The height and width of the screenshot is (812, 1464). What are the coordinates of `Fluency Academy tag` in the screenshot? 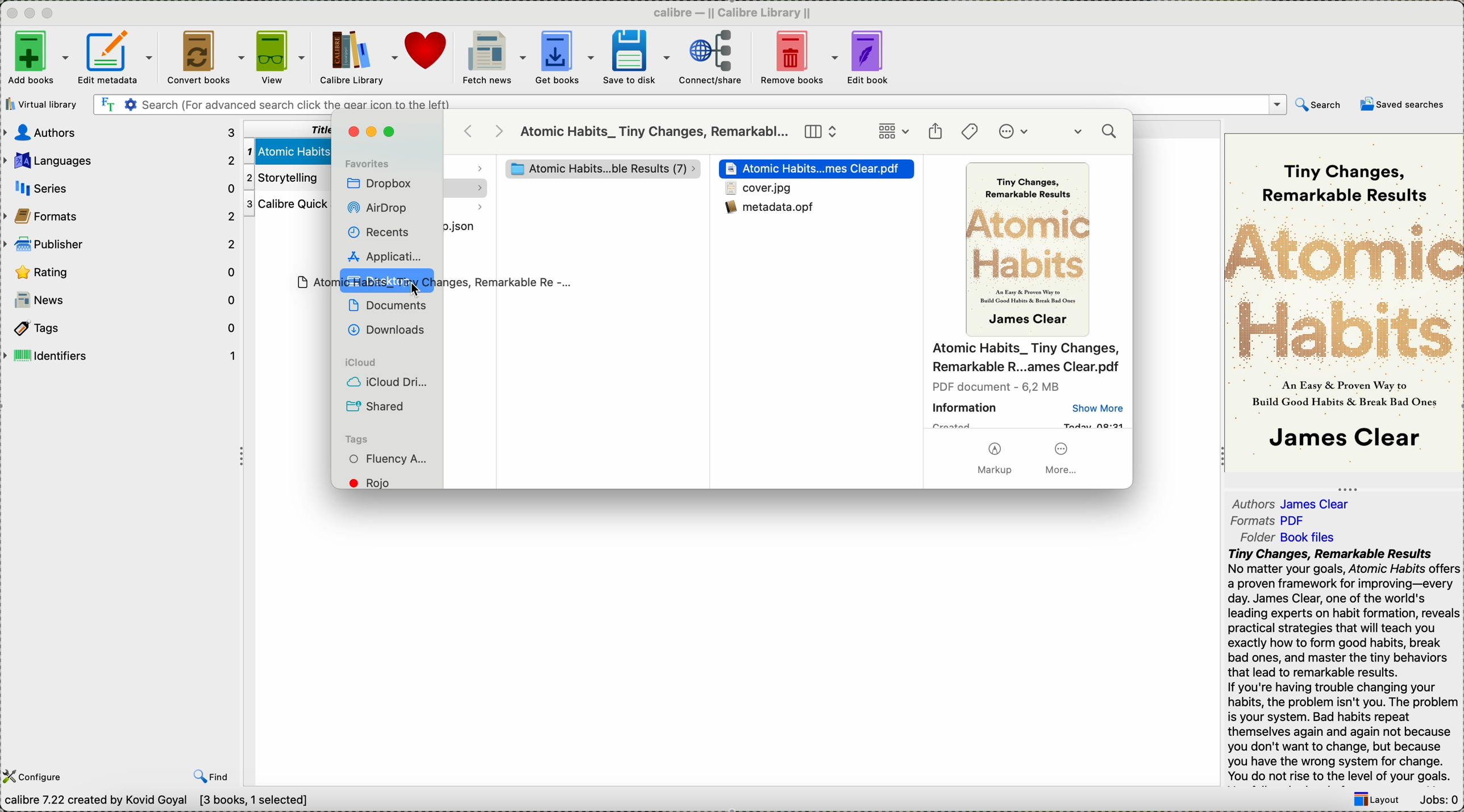 It's located at (389, 460).